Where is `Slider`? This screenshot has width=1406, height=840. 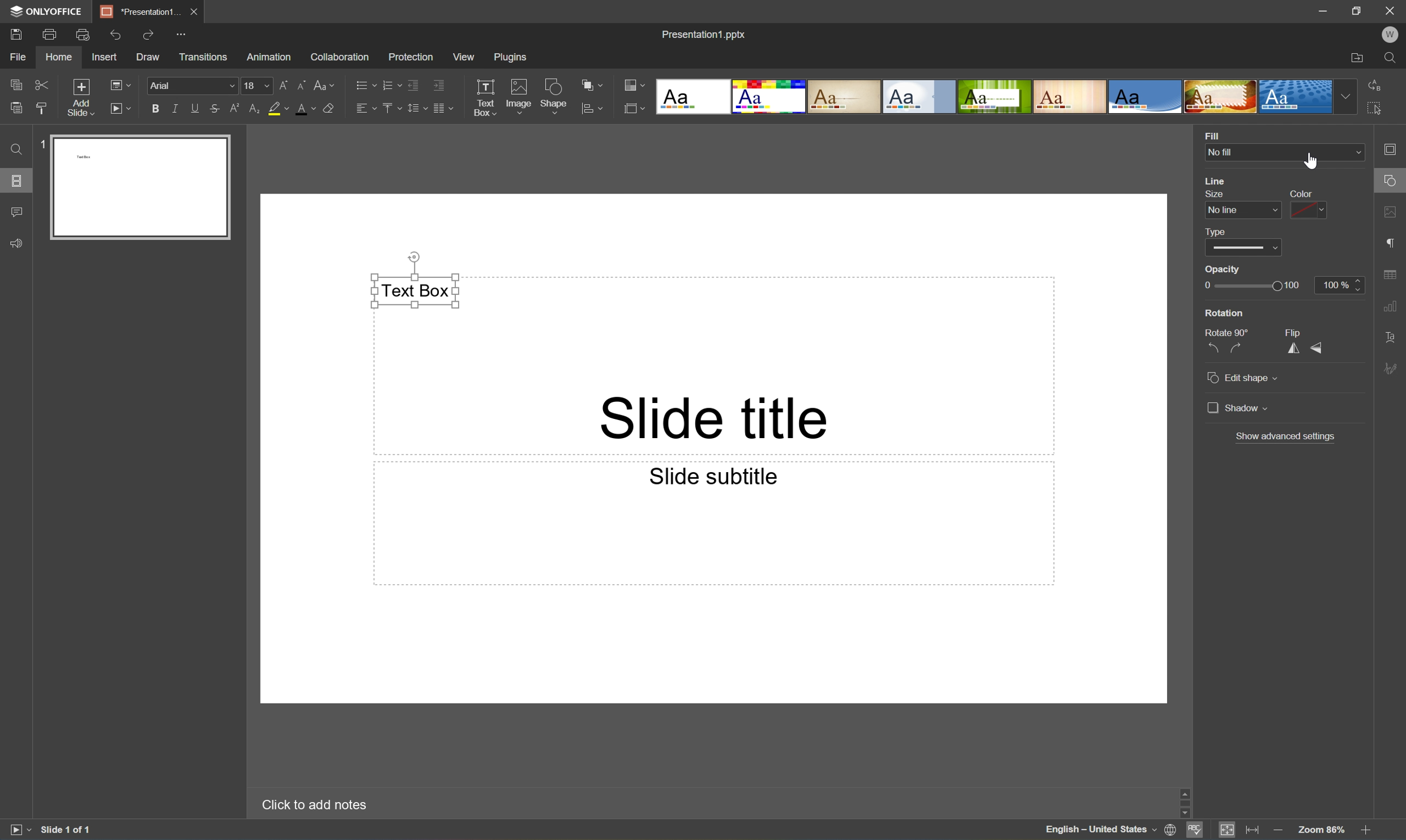
Slider is located at coordinates (1245, 248).